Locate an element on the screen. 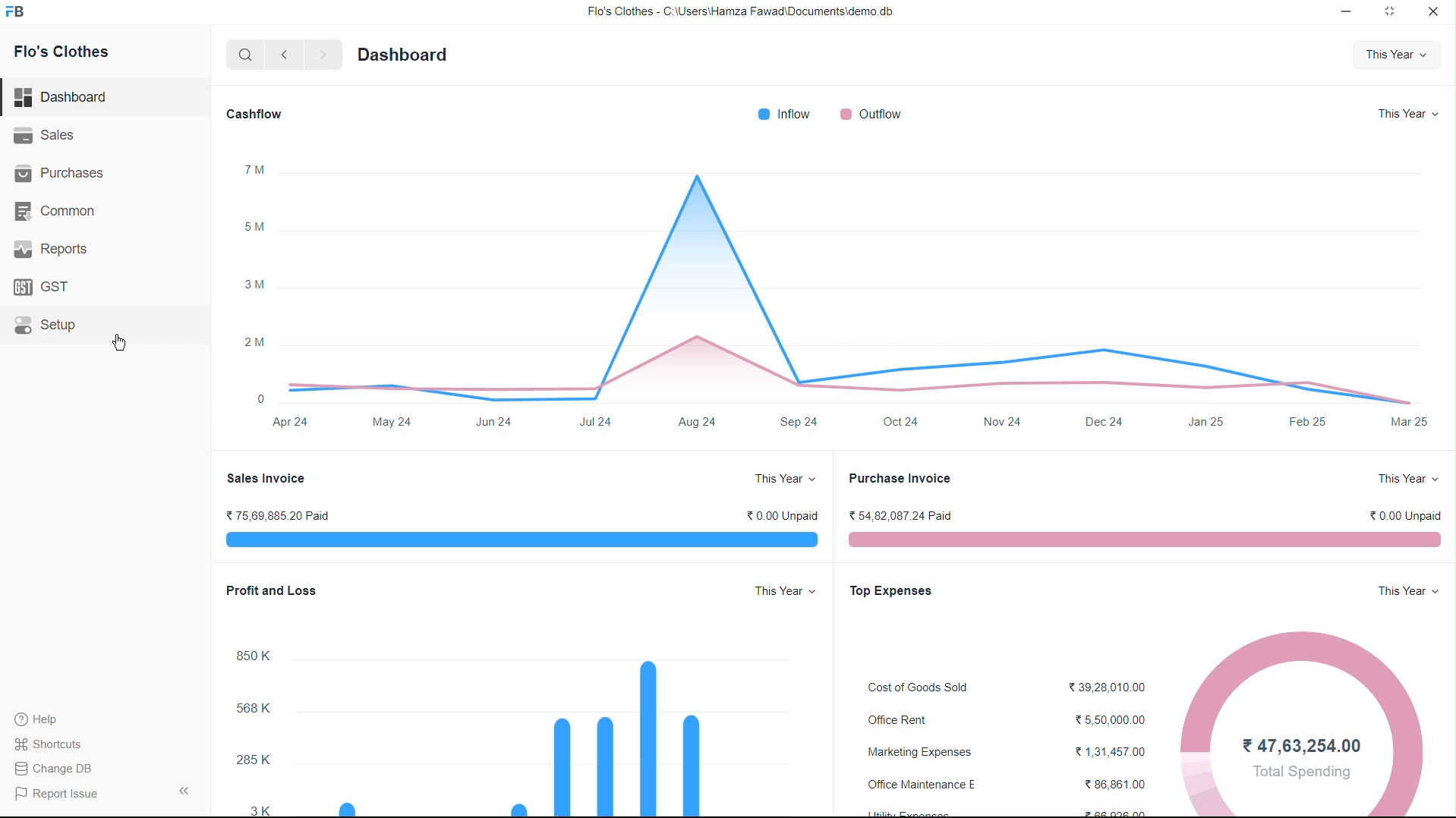 Image resolution: width=1456 pixels, height=818 pixels. Flo's Clothes - C:\Users\Hamza Fawad\Documents\demo db is located at coordinates (739, 12).